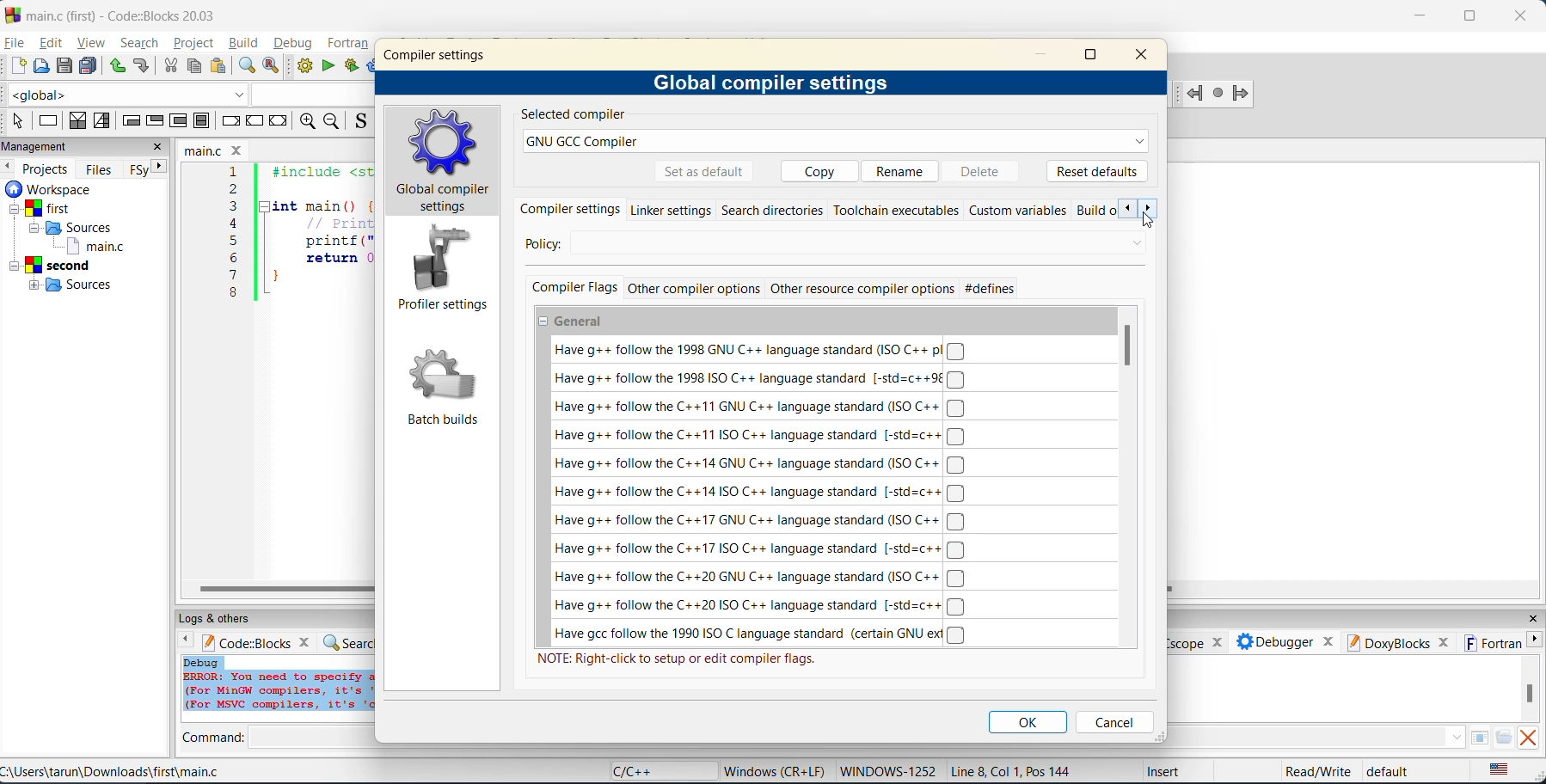 This screenshot has width=1546, height=784. Describe the element at coordinates (887, 771) in the screenshot. I see `'WINDOWS-1252` at that location.